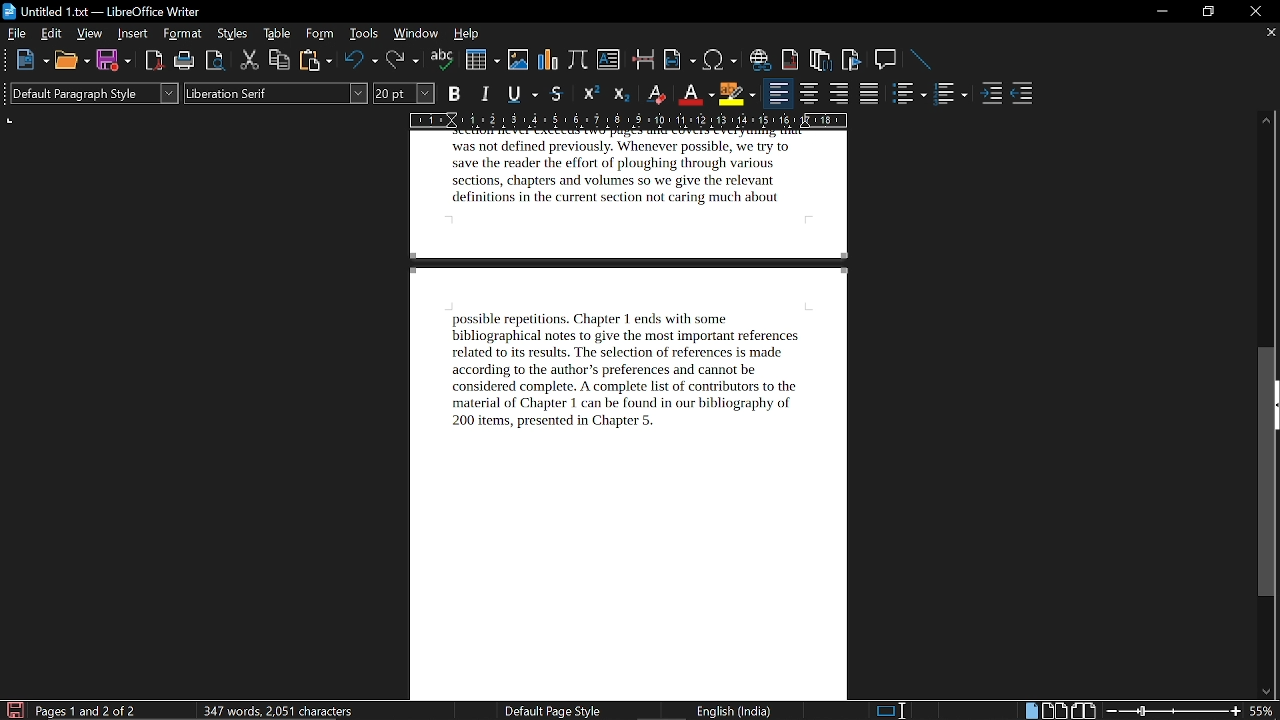 This screenshot has width=1280, height=720. Describe the element at coordinates (608, 62) in the screenshot. I see `insert text` at that location.